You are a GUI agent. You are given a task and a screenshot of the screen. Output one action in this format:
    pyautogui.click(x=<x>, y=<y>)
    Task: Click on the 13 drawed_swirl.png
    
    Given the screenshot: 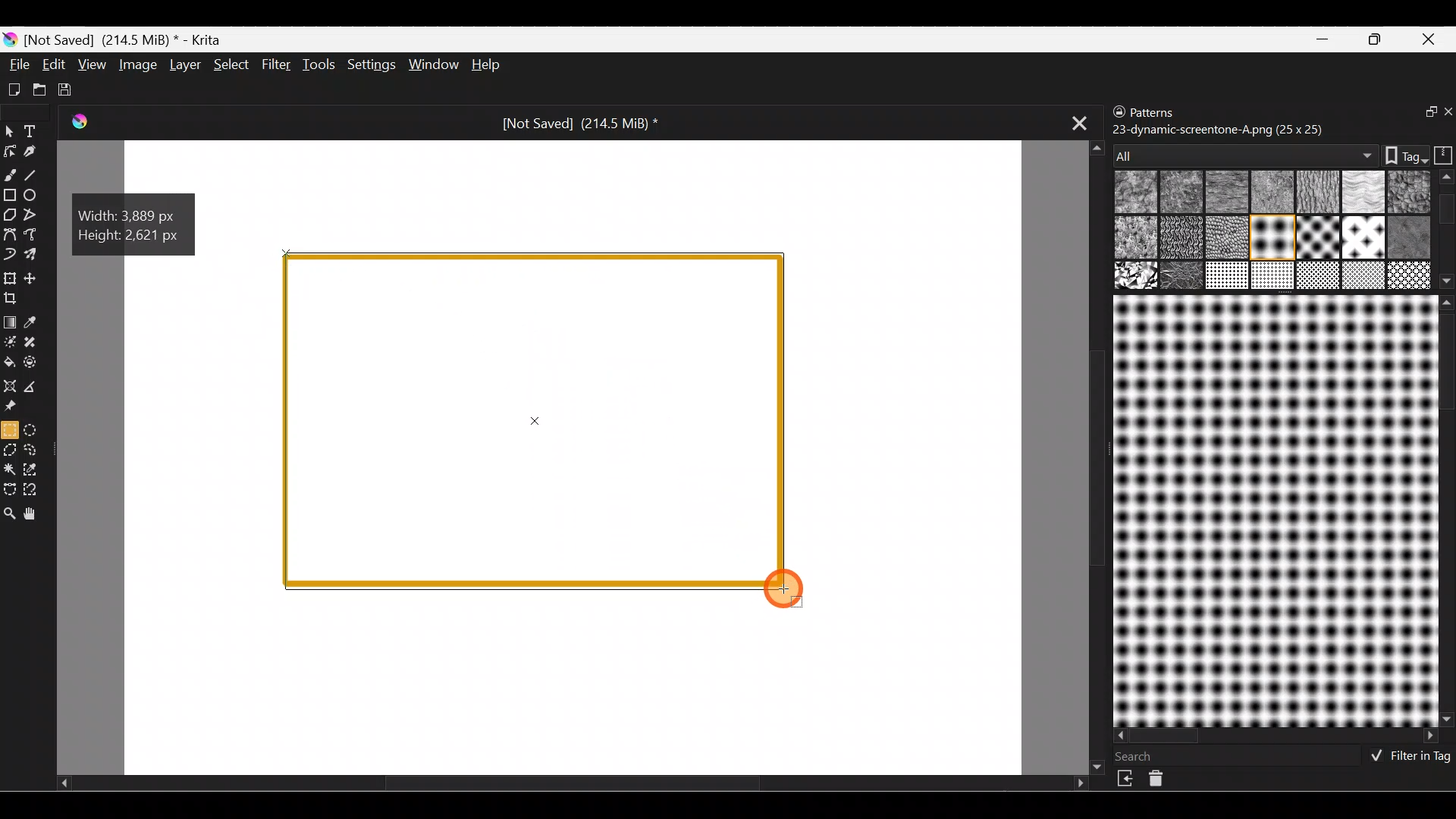 What is the action you would take?
    pyautogui.click(x=1412, y=235)
    